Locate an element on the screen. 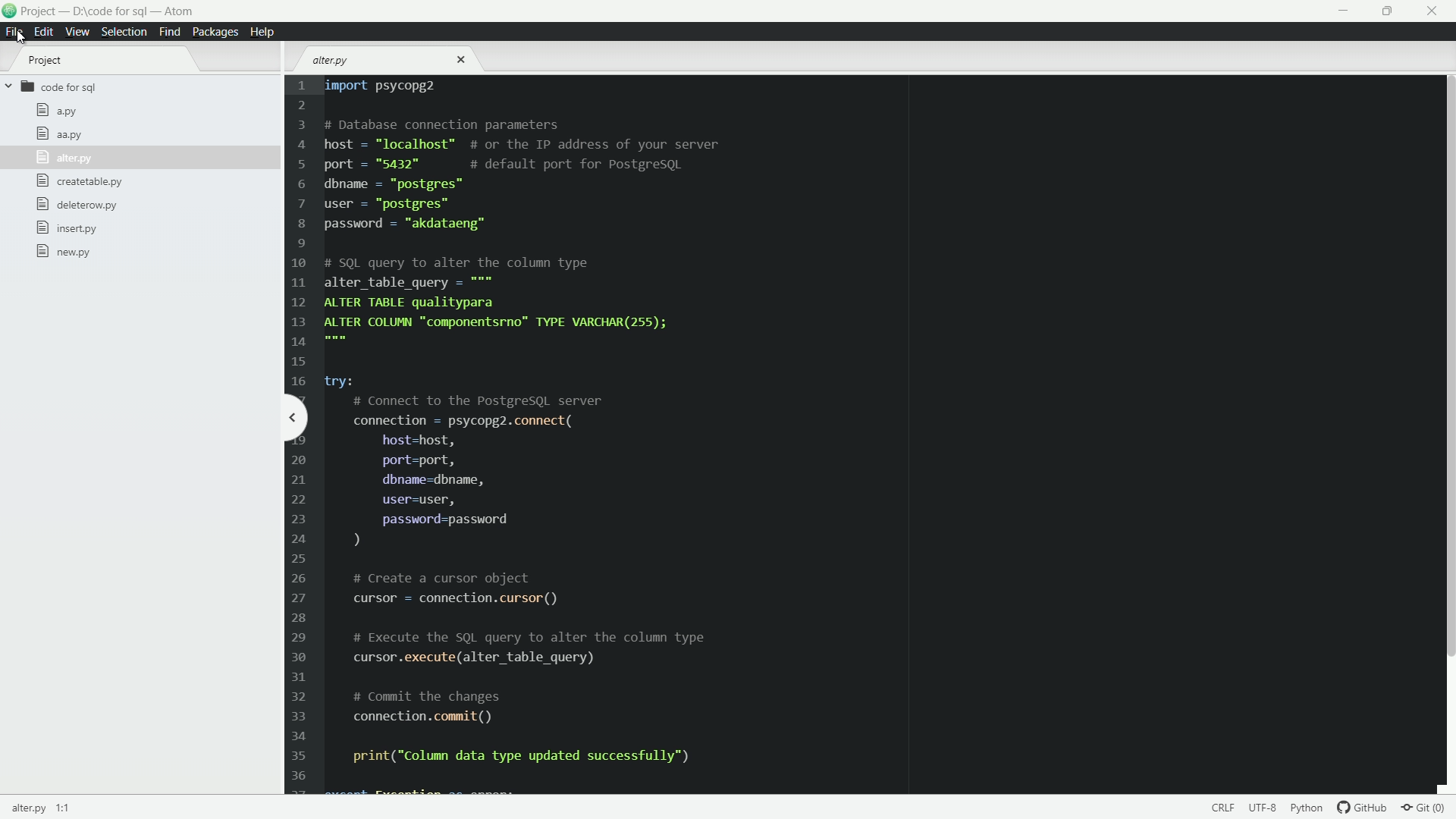 This screenshot has width=1456, height=819. file menu is located at coordinates (14, 33).